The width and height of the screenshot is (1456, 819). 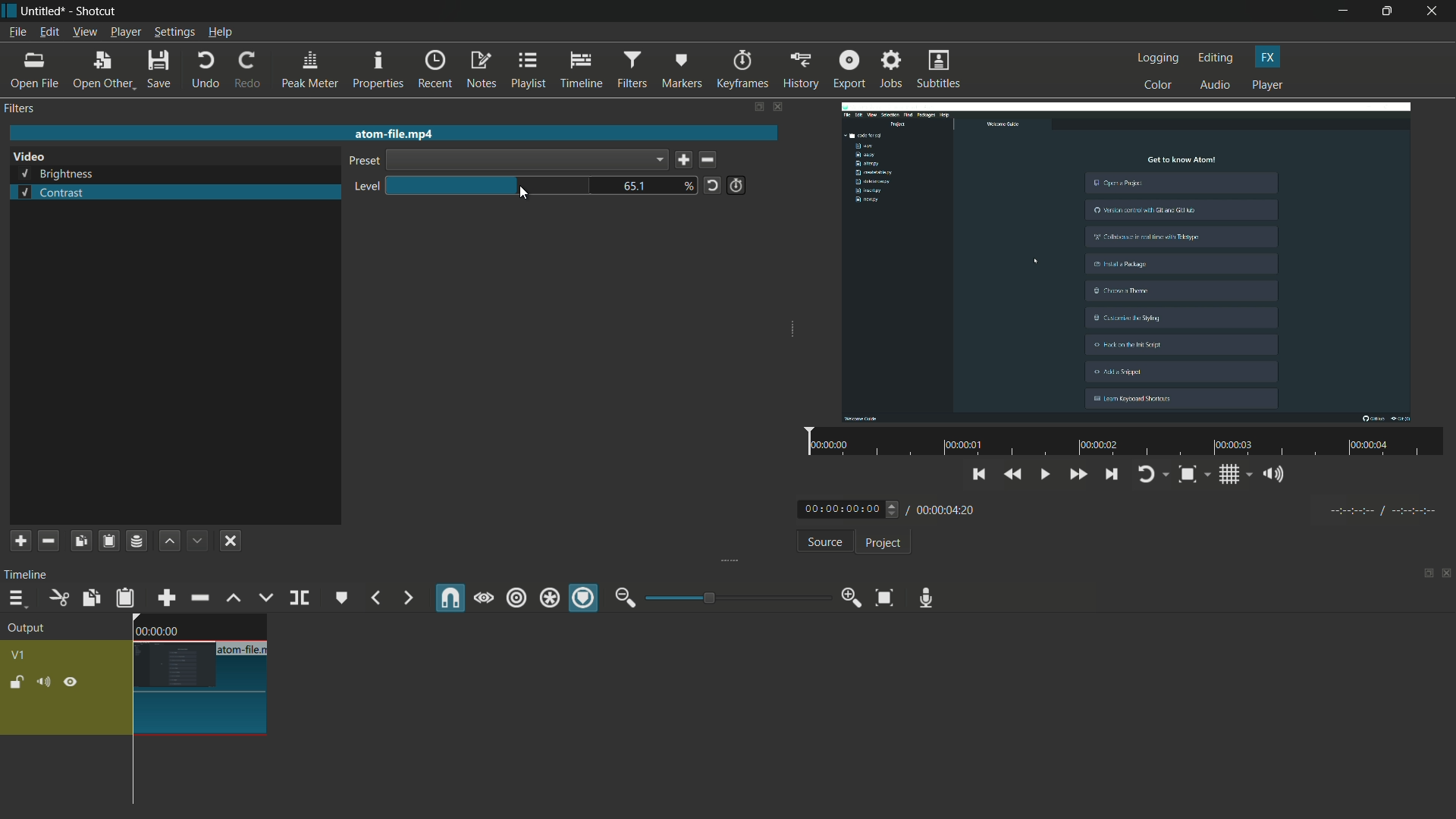 I want to click on ripple all tracks, so click(x=548, y=600).